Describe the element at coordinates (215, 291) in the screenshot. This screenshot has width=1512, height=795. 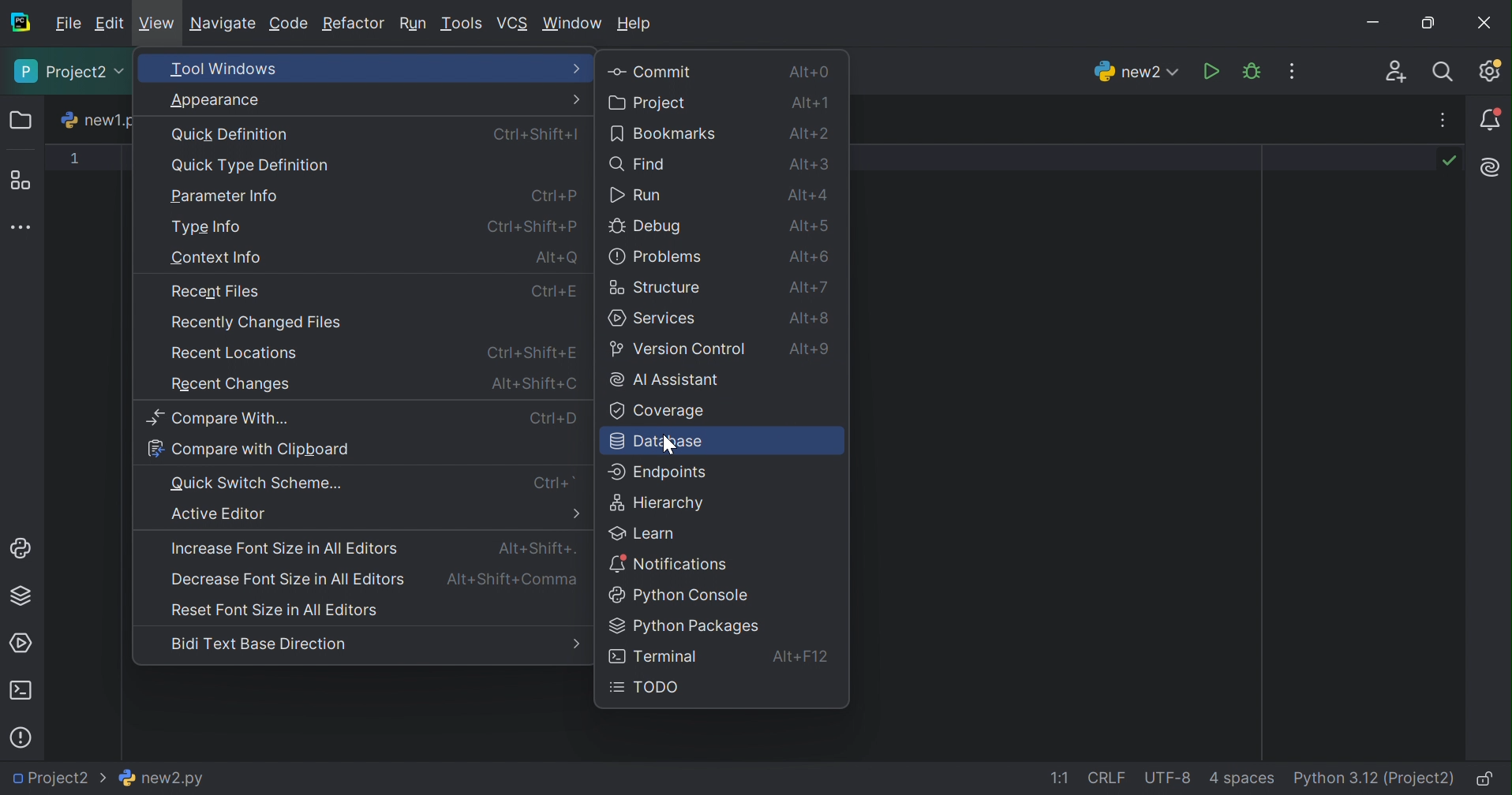
I see `Recent files` at that location.